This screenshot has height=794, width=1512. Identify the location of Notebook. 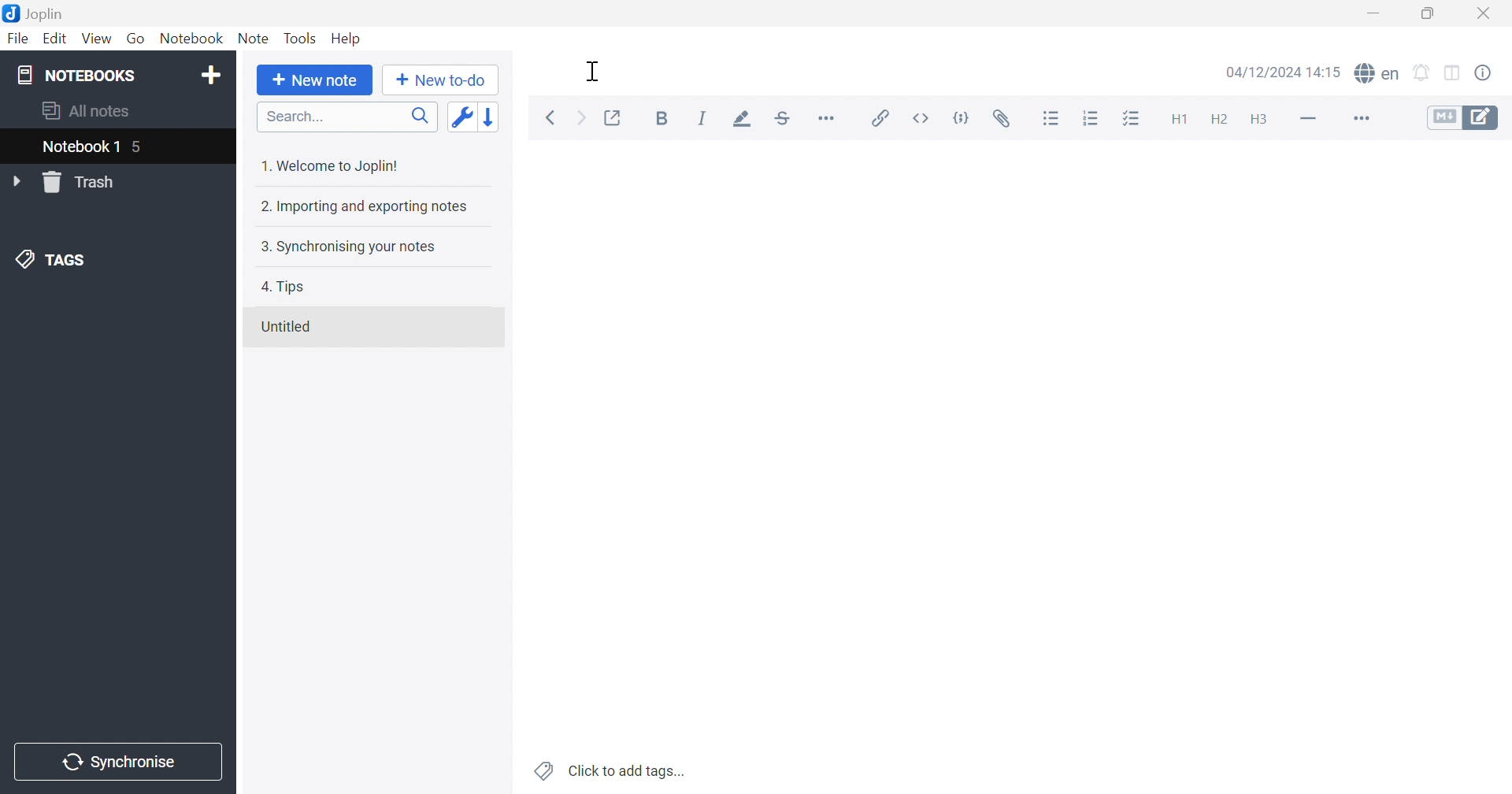
(190, 39).